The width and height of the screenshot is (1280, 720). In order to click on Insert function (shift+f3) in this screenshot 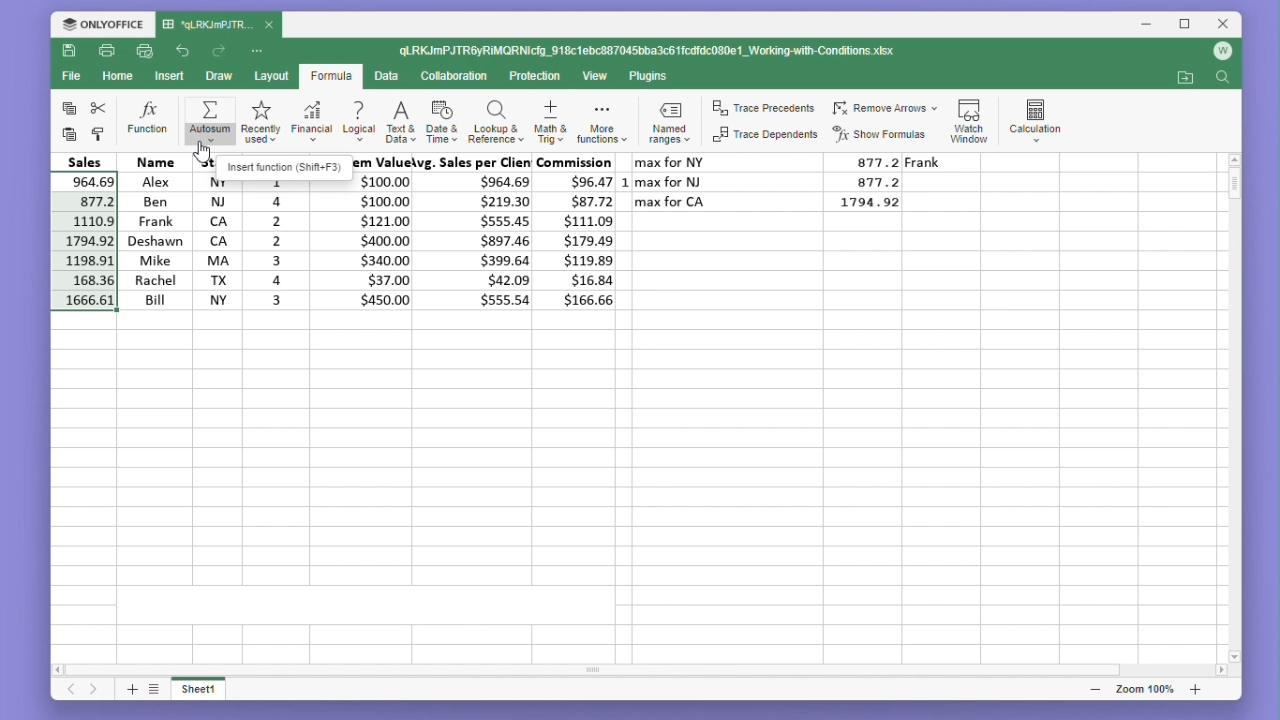, I will do `click(285, 167)`.